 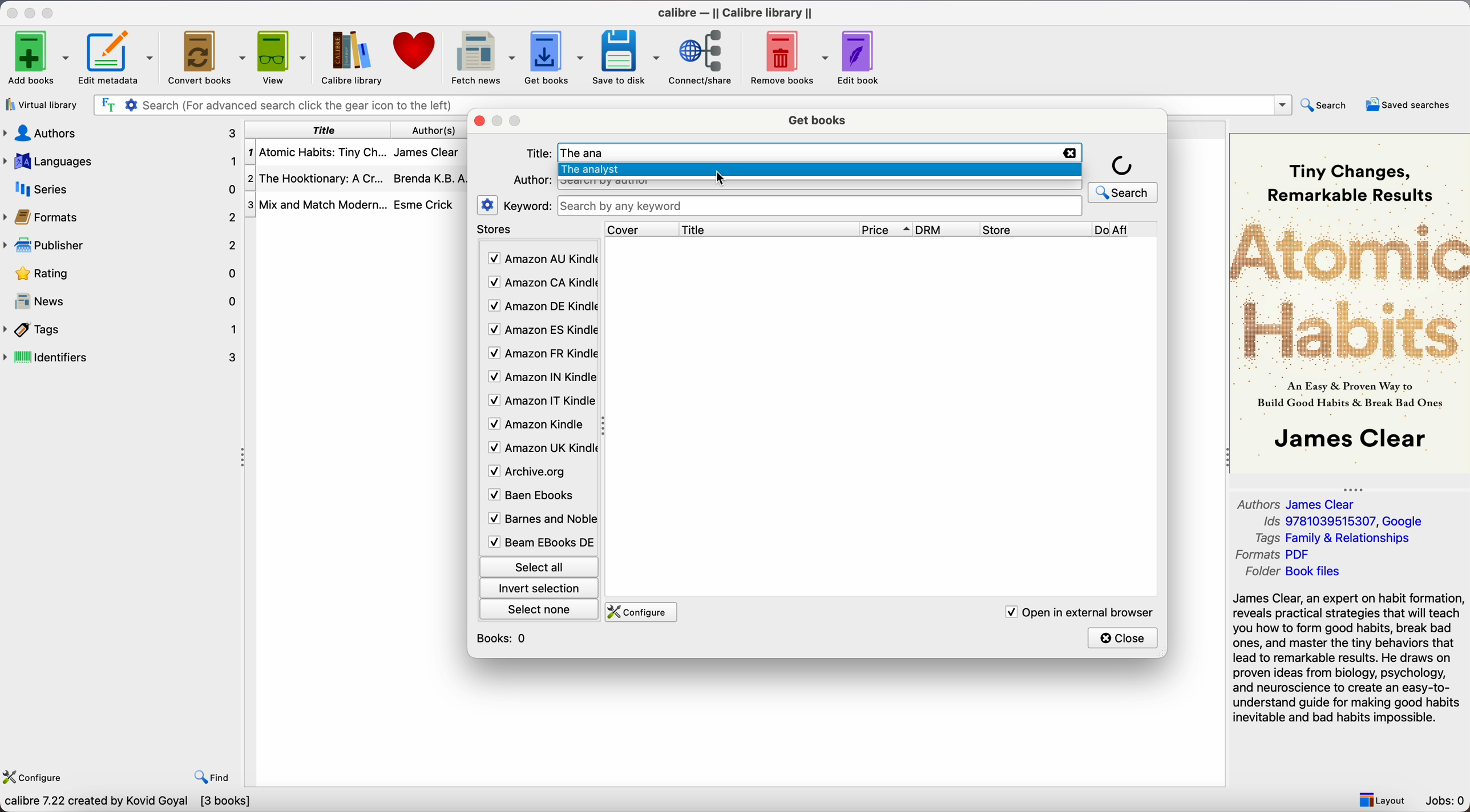 What do you see at coordinates (643, 612) in the screenshot?
I see `configure` at bounding box center [643, 612].